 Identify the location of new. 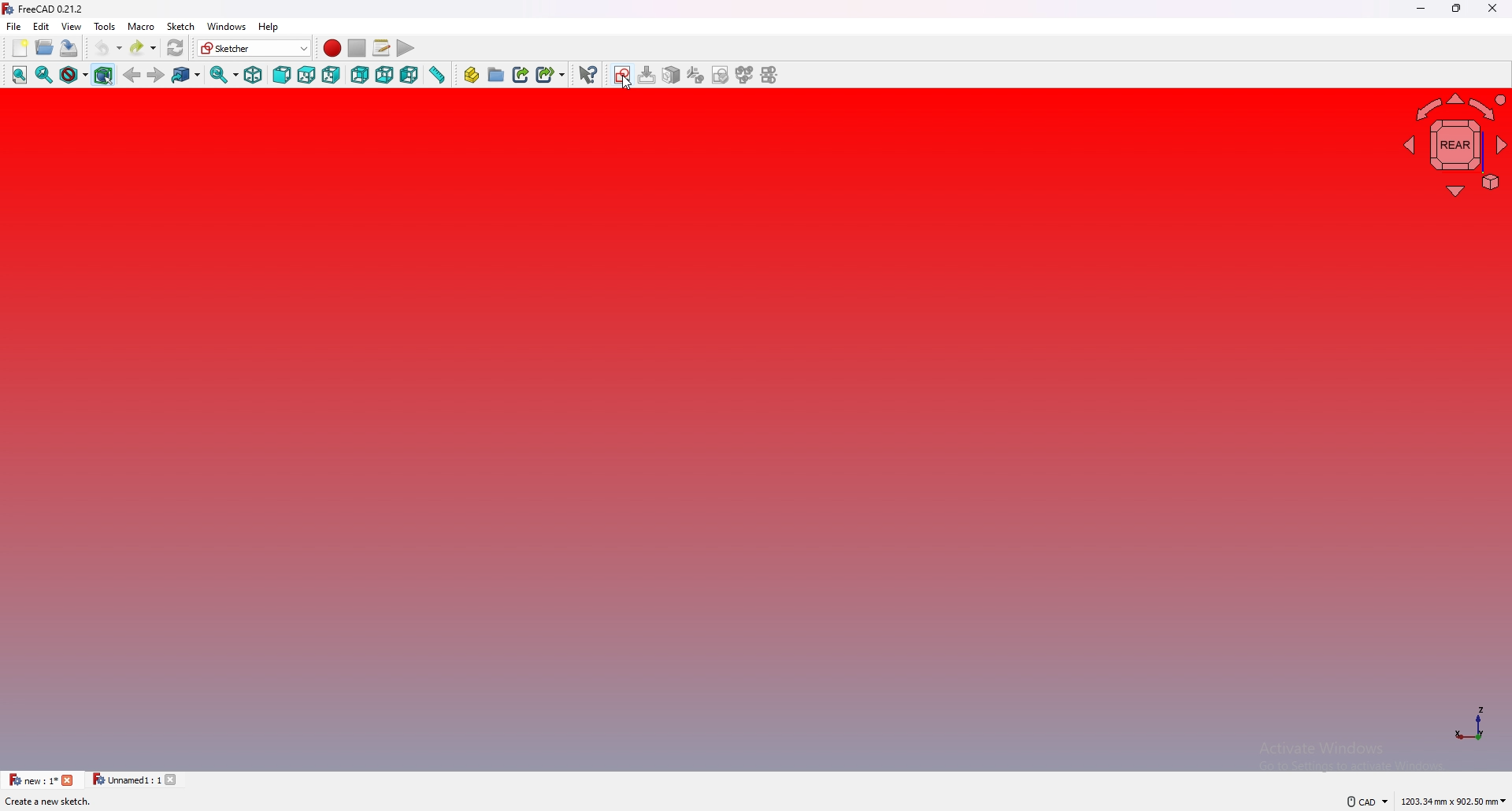
(18, 48).